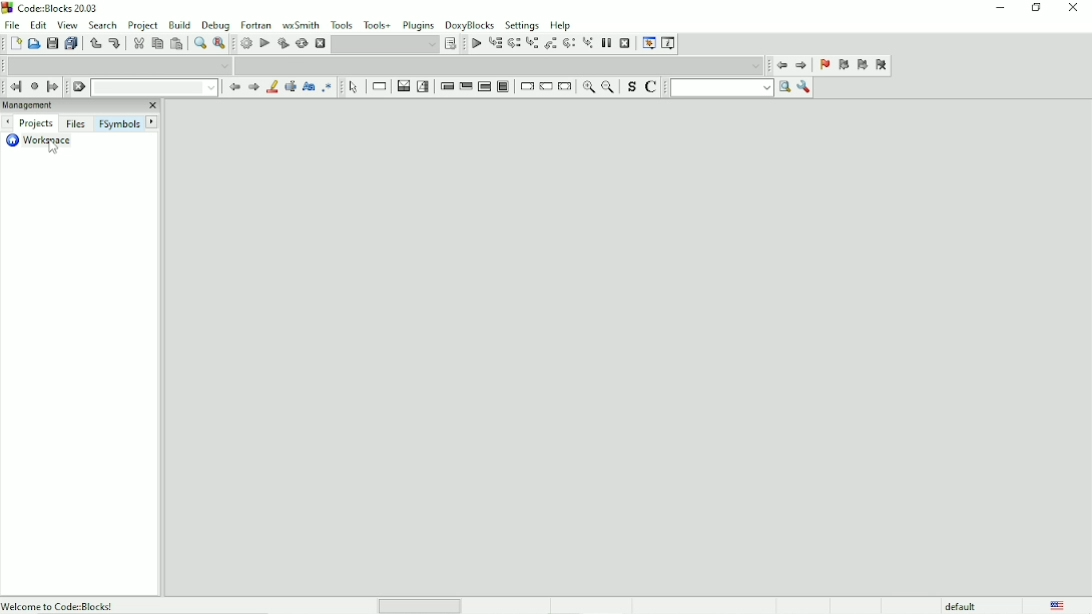 The image size is (1092, 614). I want to click on Instruction, so click(377, 87).